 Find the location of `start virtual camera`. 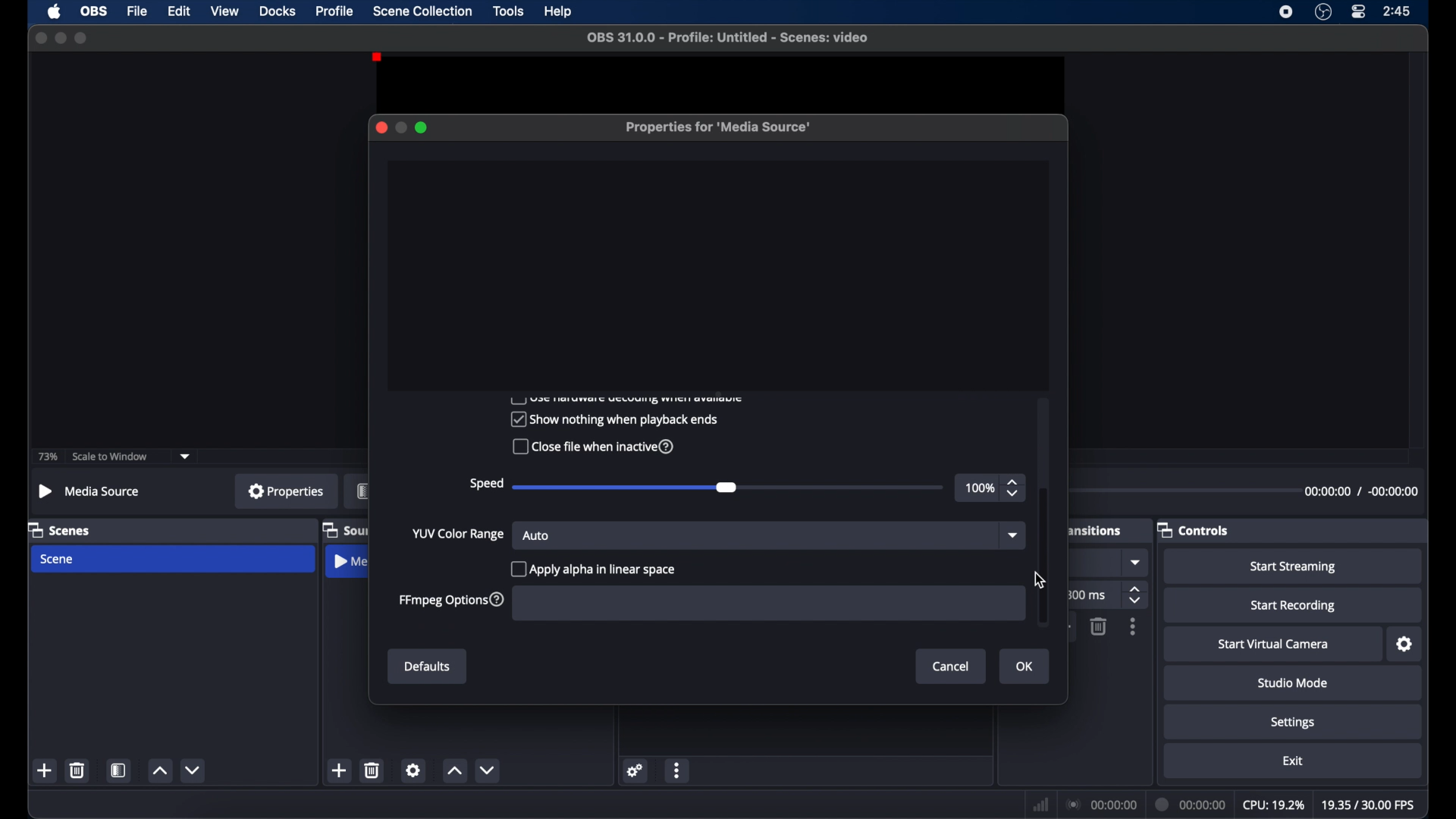

start virtual camera is located at coordinates (1274, 645).